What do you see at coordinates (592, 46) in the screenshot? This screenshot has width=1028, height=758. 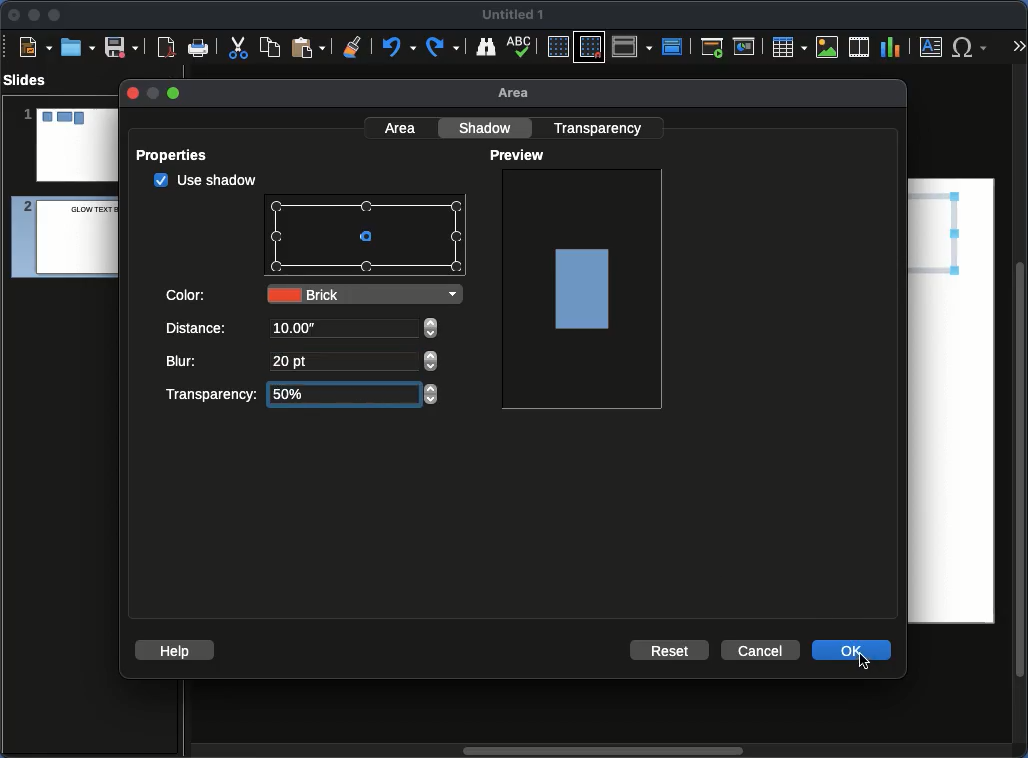 I see `Snap to grid` at bounding box center [592, 46].